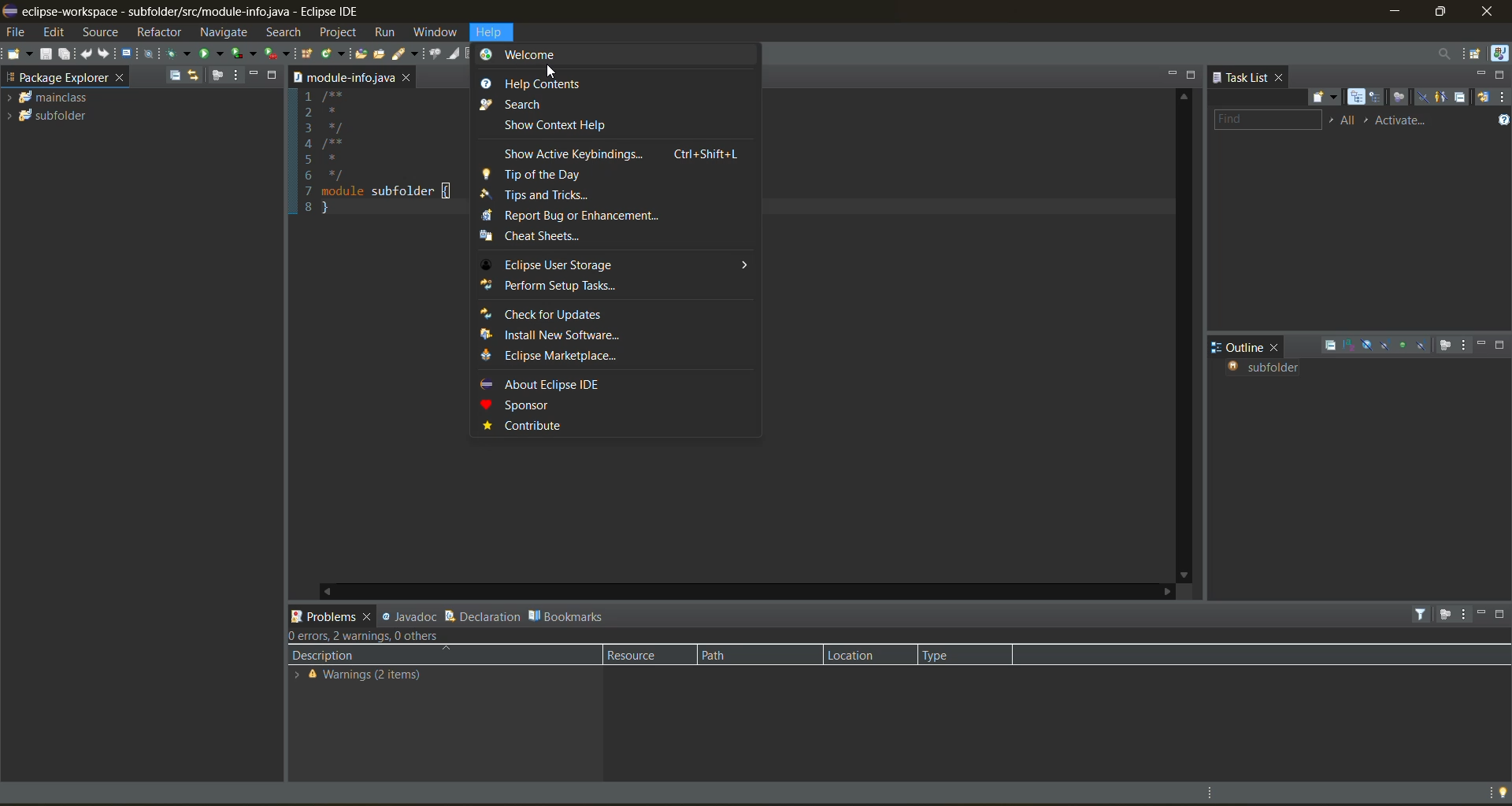  I want to click on metadata, so click(384, 635).